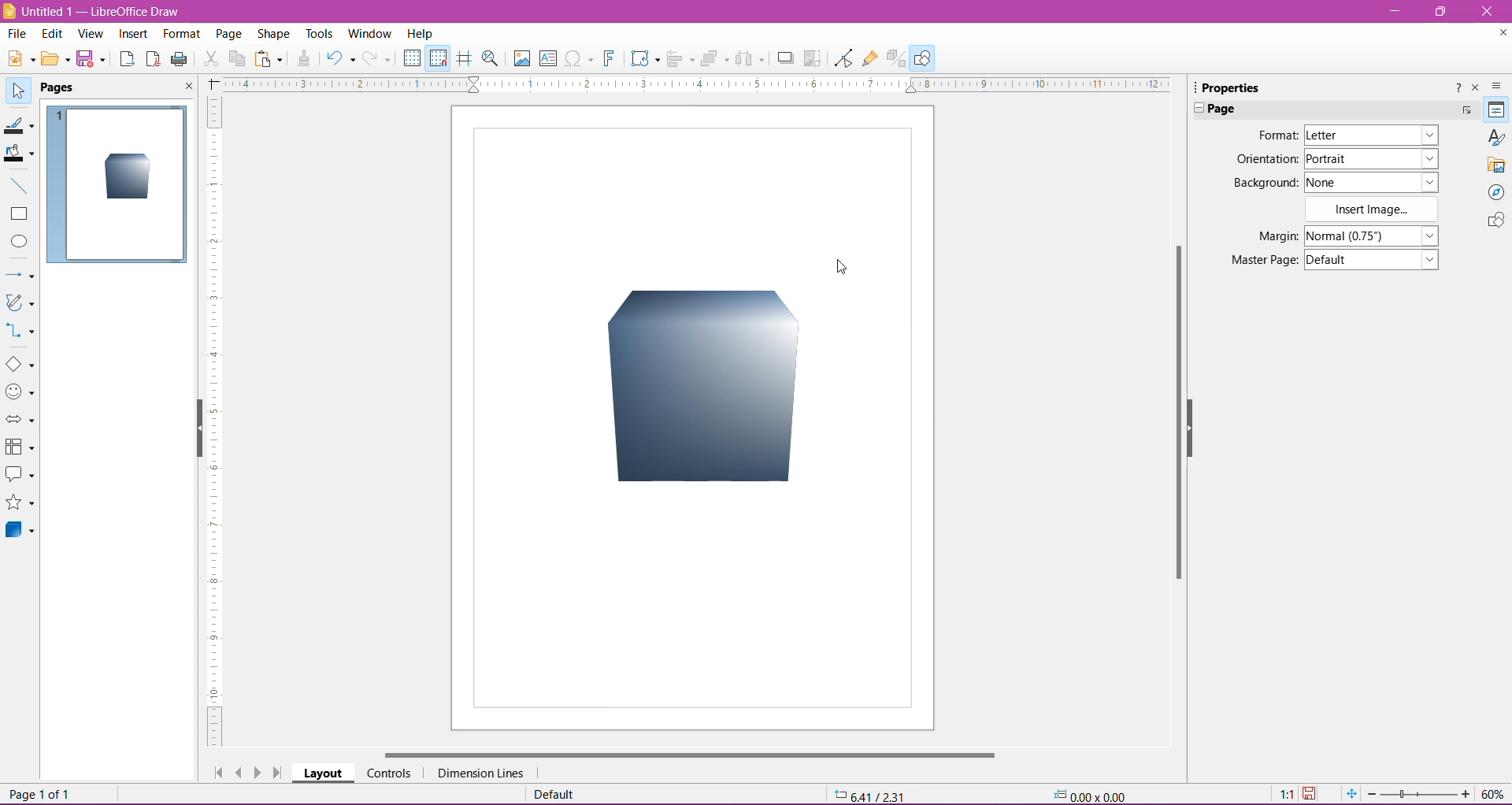 Image resolution: width=1512 pixels, height=805 pixels. I want to click on Insert Line, so click(18, 185).